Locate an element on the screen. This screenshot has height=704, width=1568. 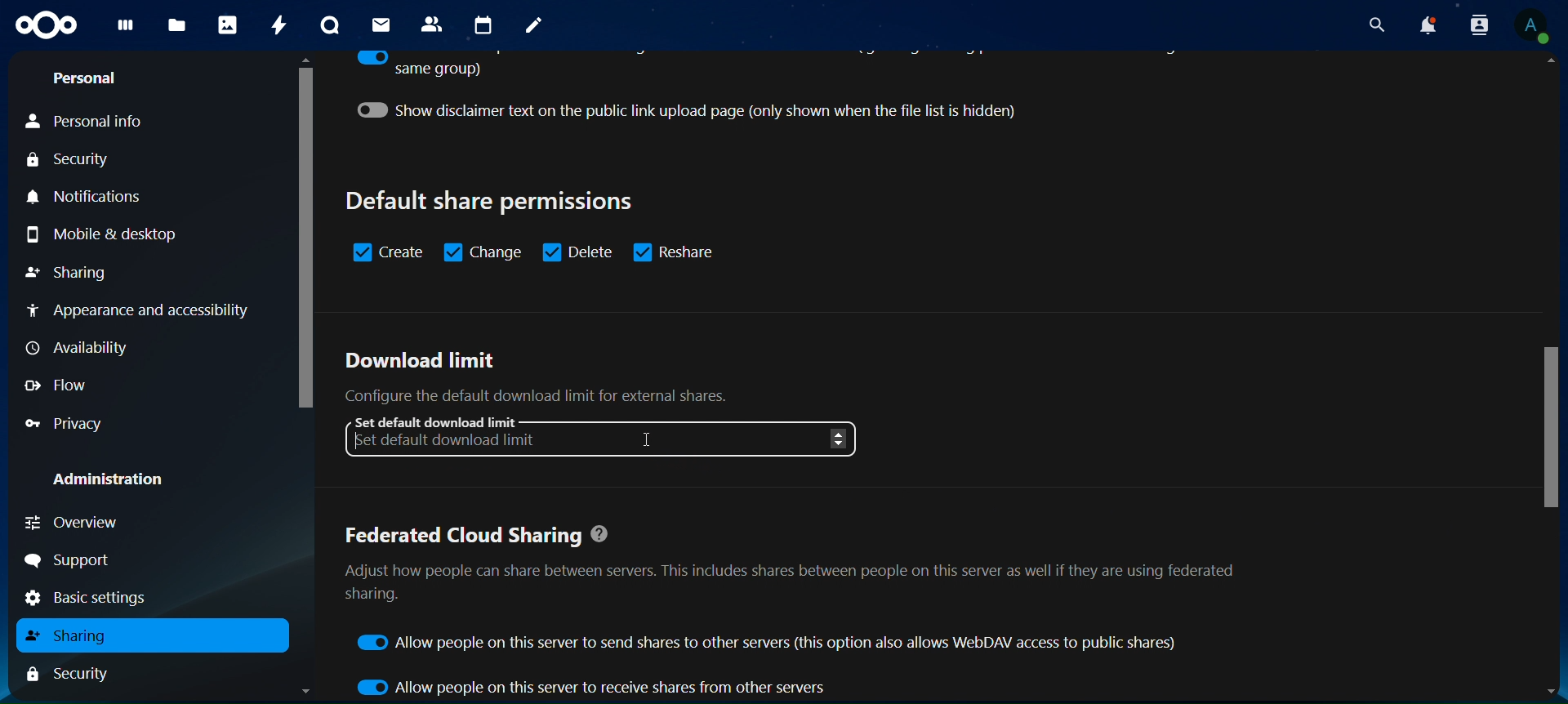
flow is located at coordinates (56, 385).